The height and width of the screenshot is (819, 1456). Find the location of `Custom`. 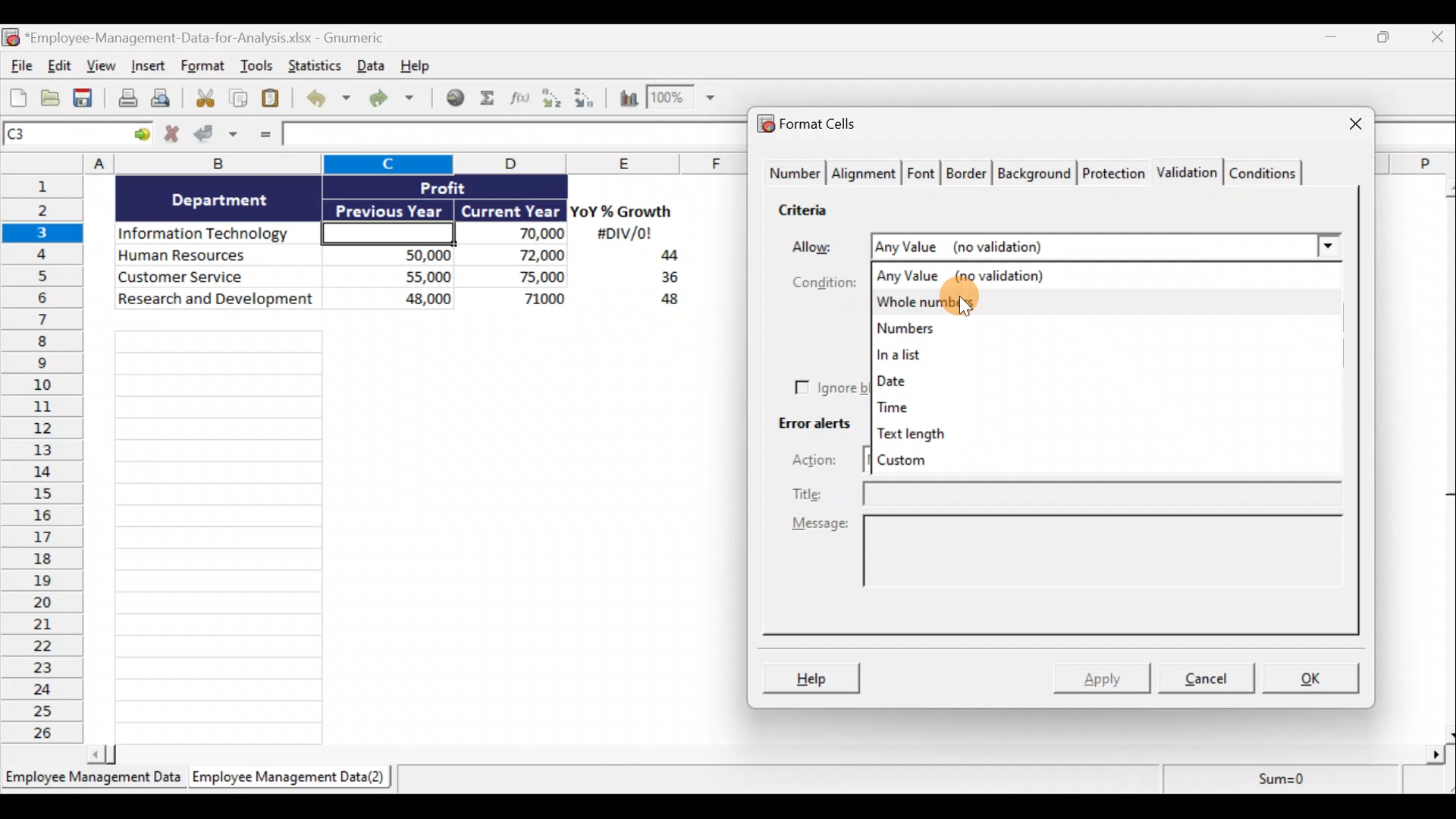

Custom is located at coordinates (1109, 466).